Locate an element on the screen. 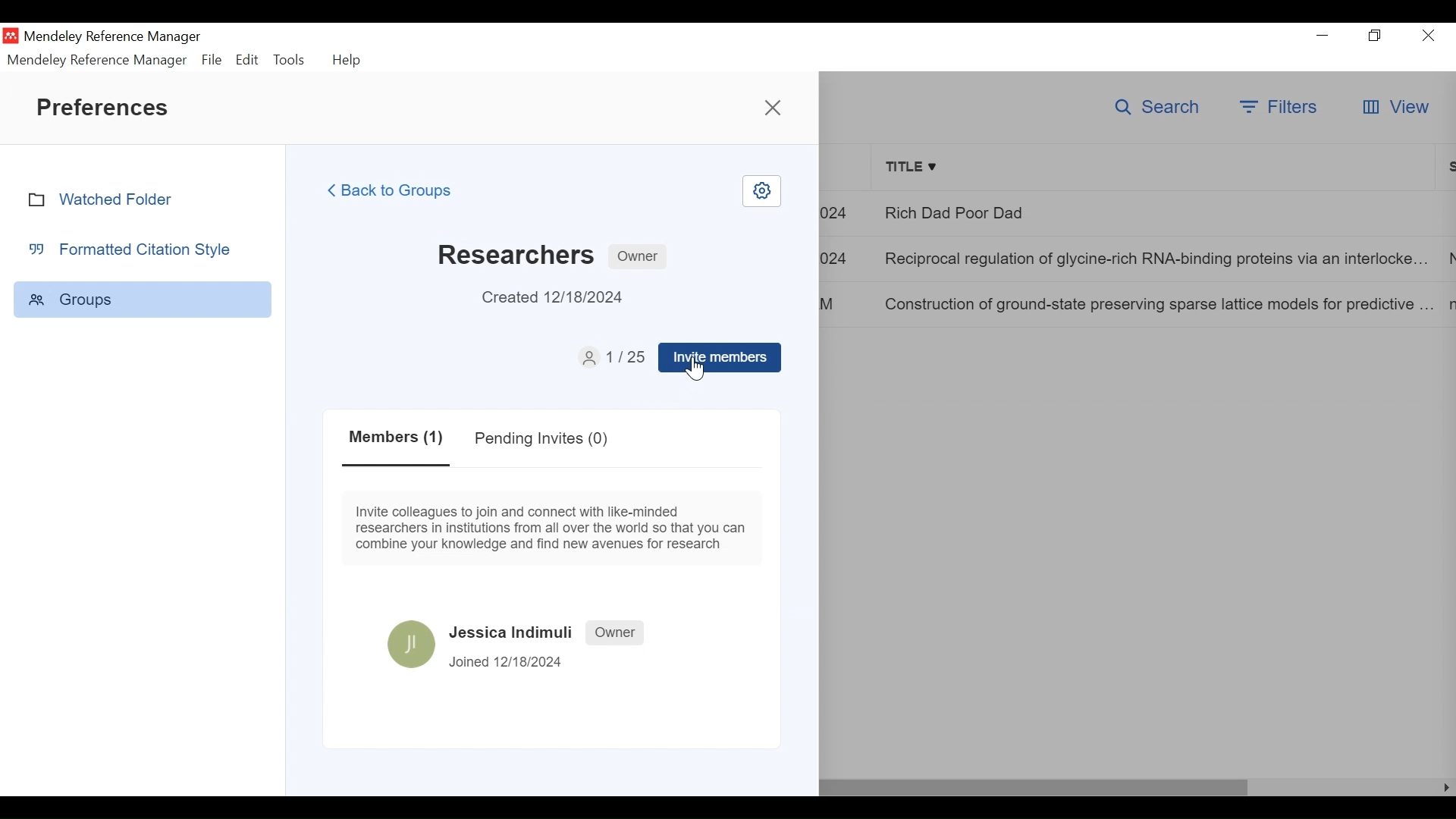 This screenshot has height=819, width=1456. Settings is located at coordinates (761, 191).